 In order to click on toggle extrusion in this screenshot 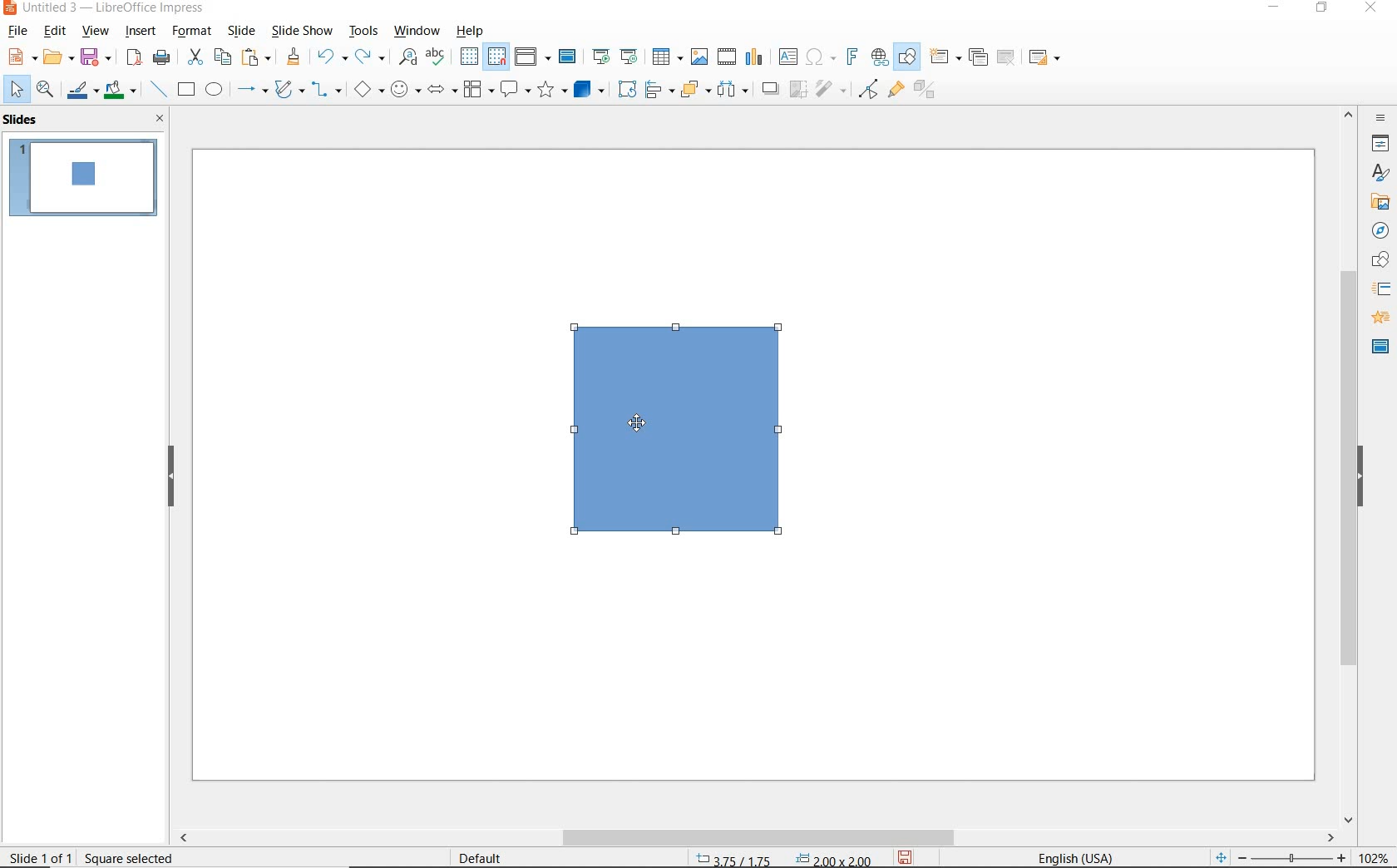, I will do `click(923, 91)`.